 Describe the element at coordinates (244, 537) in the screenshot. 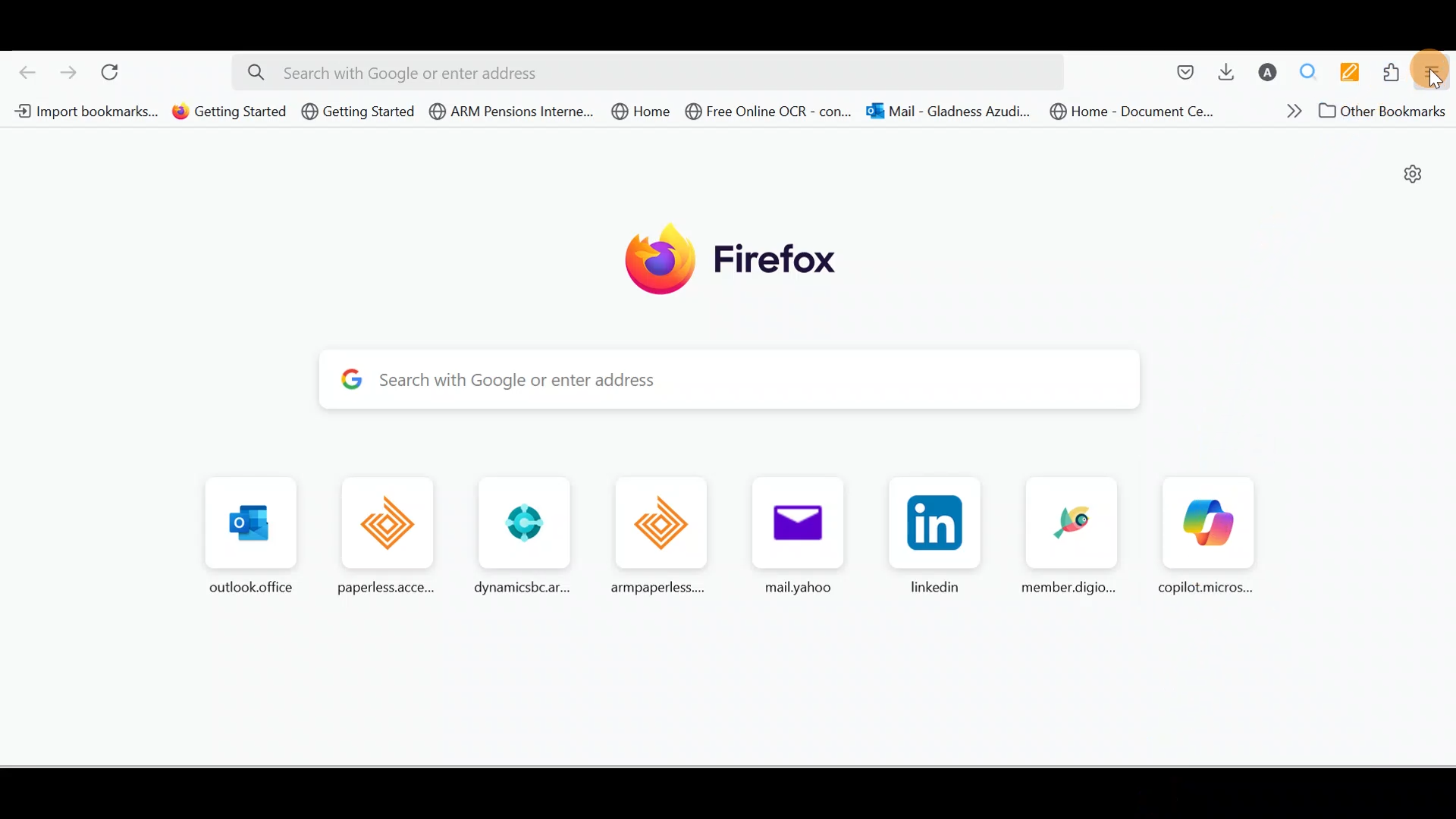

I see `outlook.office` at that location.